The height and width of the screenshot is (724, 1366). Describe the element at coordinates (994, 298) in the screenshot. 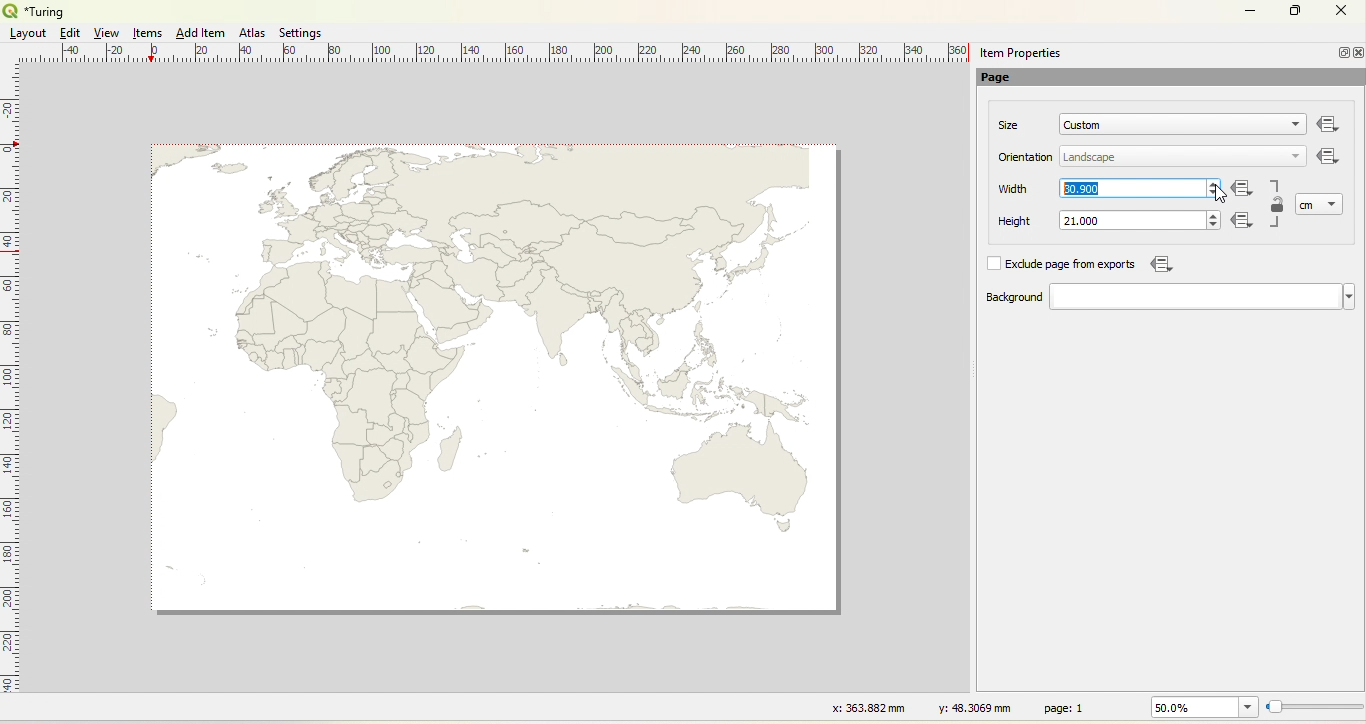

I see `Background` at that location.